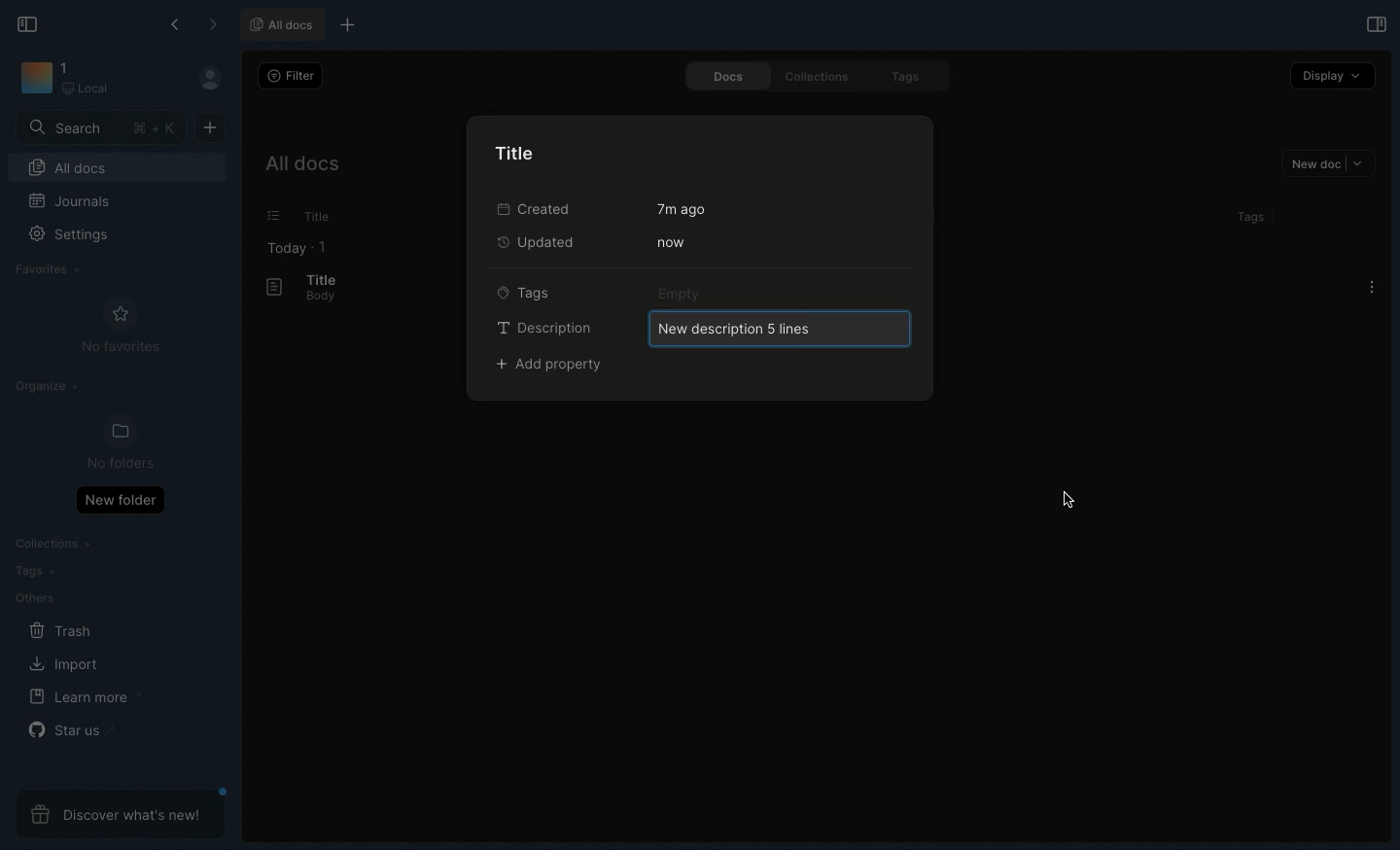  I want to click on New description 5 lines, so click(781, 329).